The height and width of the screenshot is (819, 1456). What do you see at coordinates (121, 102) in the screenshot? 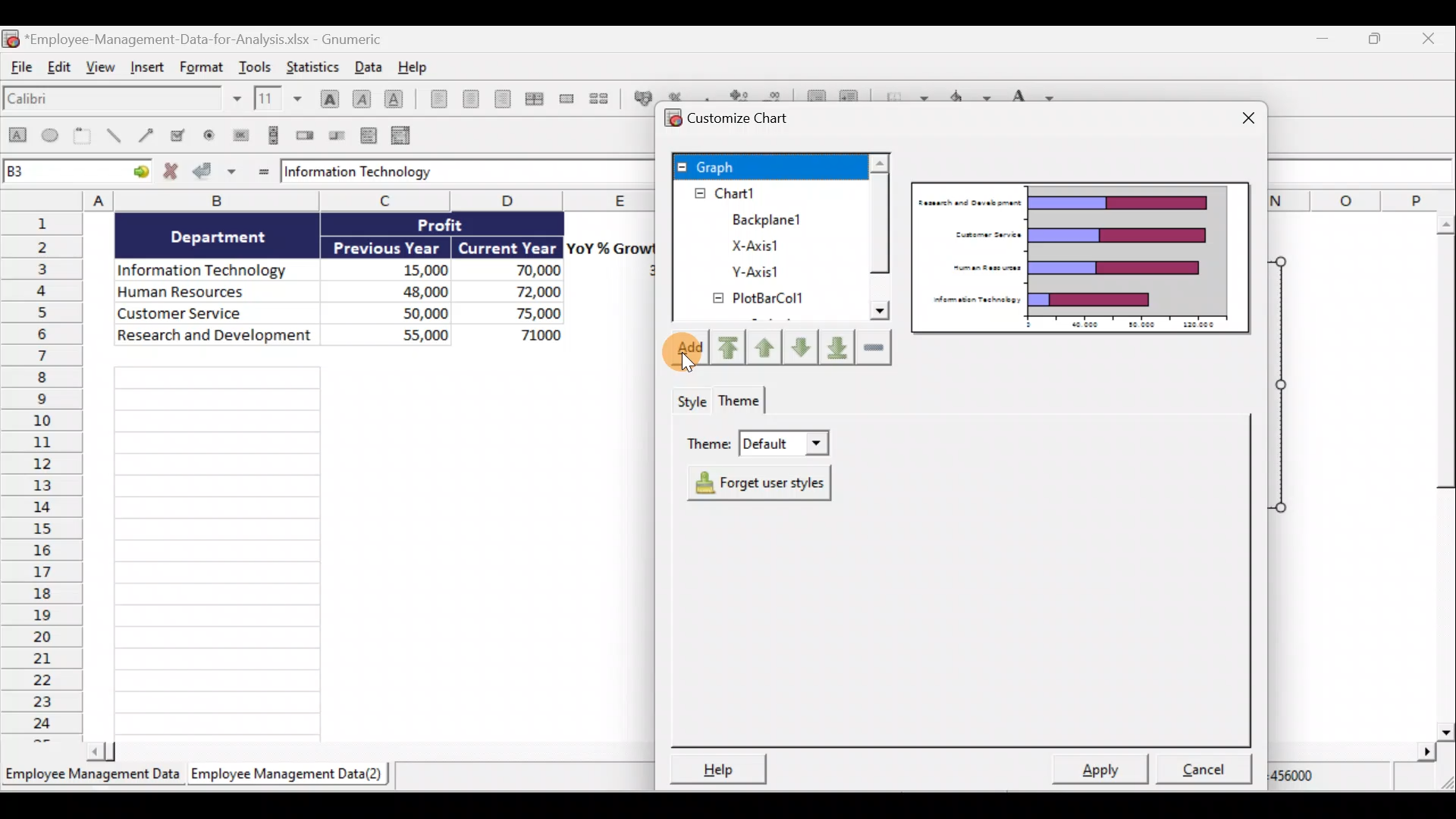
I see `Font name Calibri` at bounding box center [121, 102].